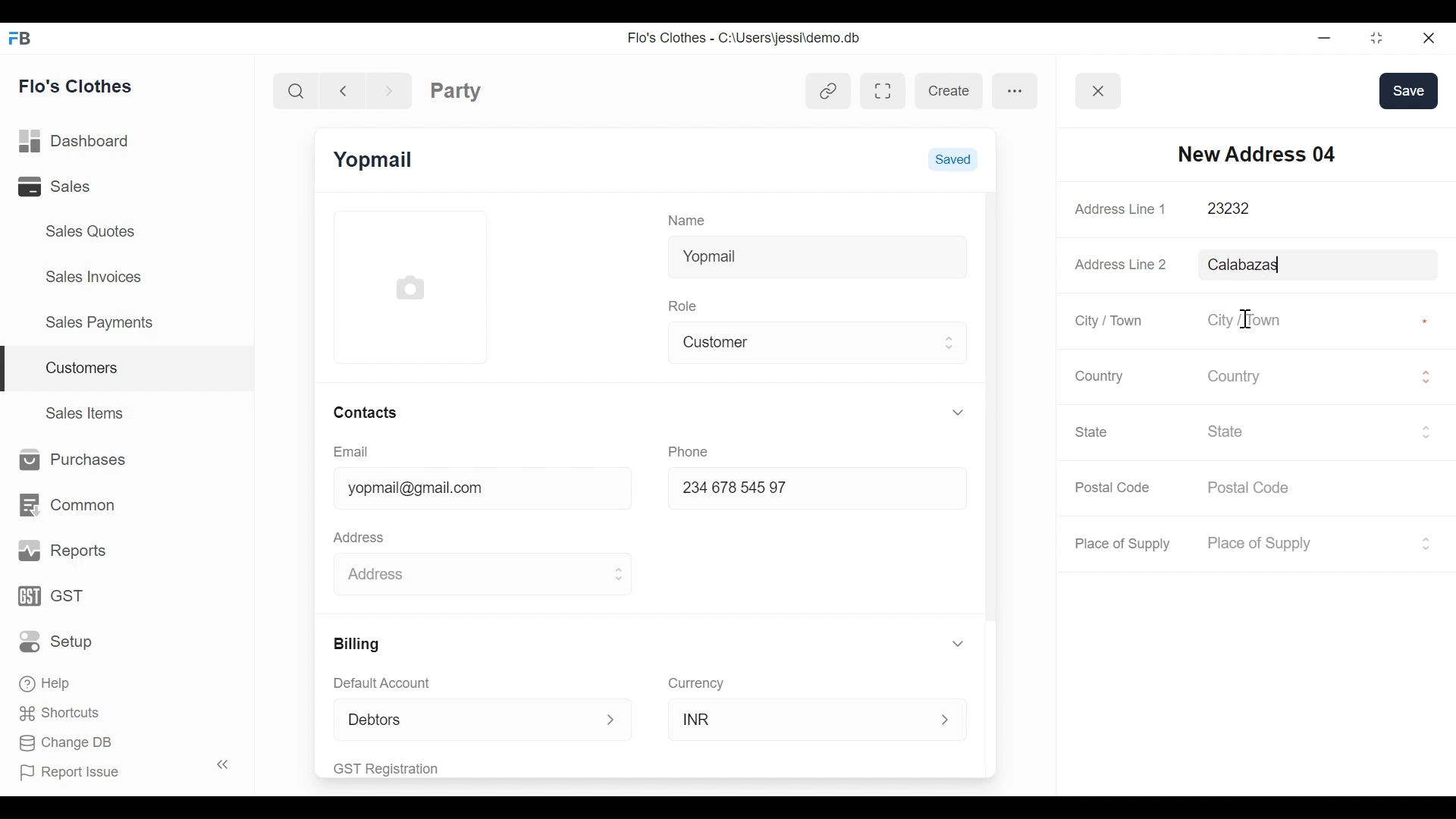 This screenshot has height=819, width=1456. What do you see at coordinates (948, 91) in the screenshot?
I see `create` at bounding box center [948, 91].